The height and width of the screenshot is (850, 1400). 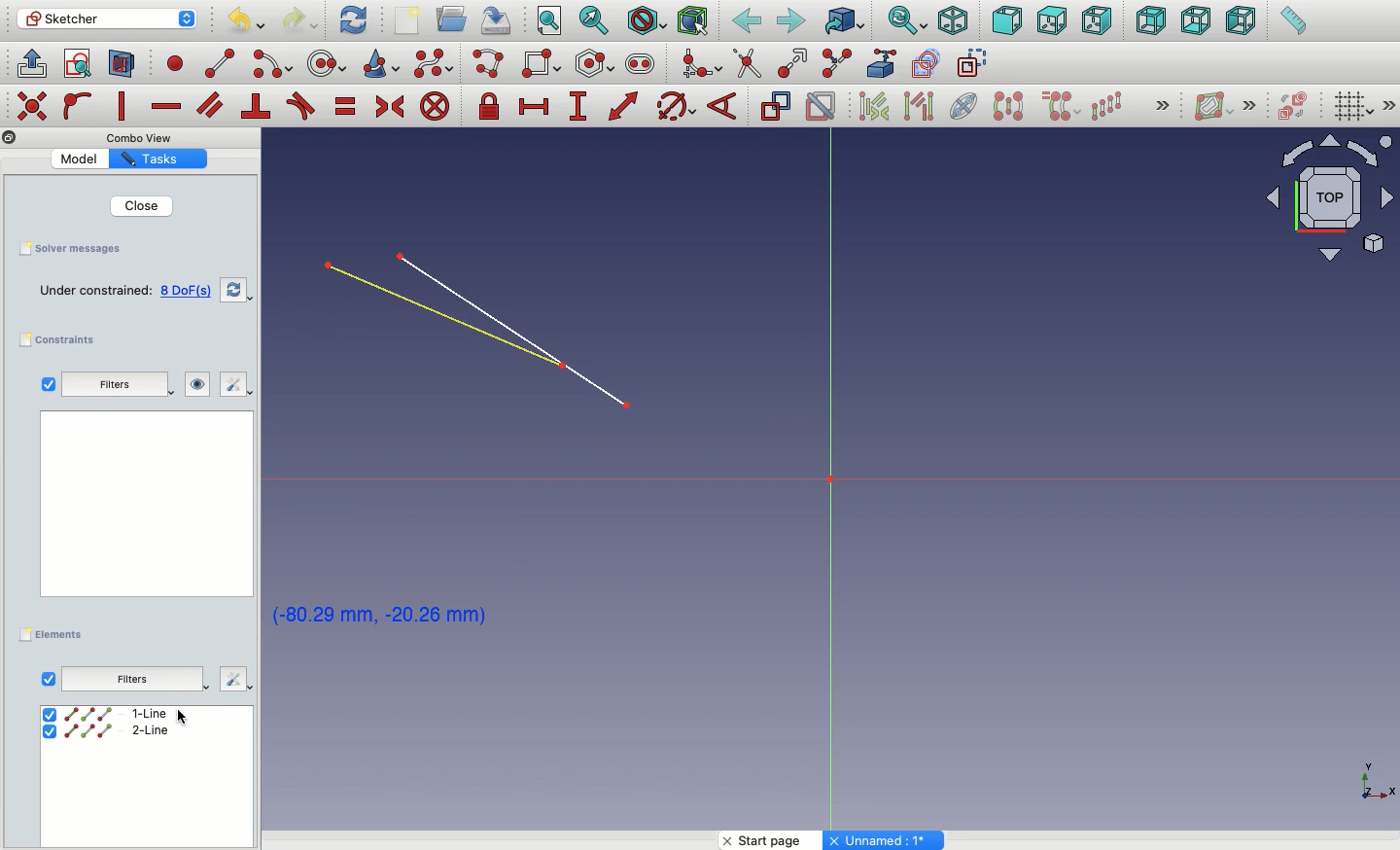 I want to click on Split edge, so click(x=838, y=62).